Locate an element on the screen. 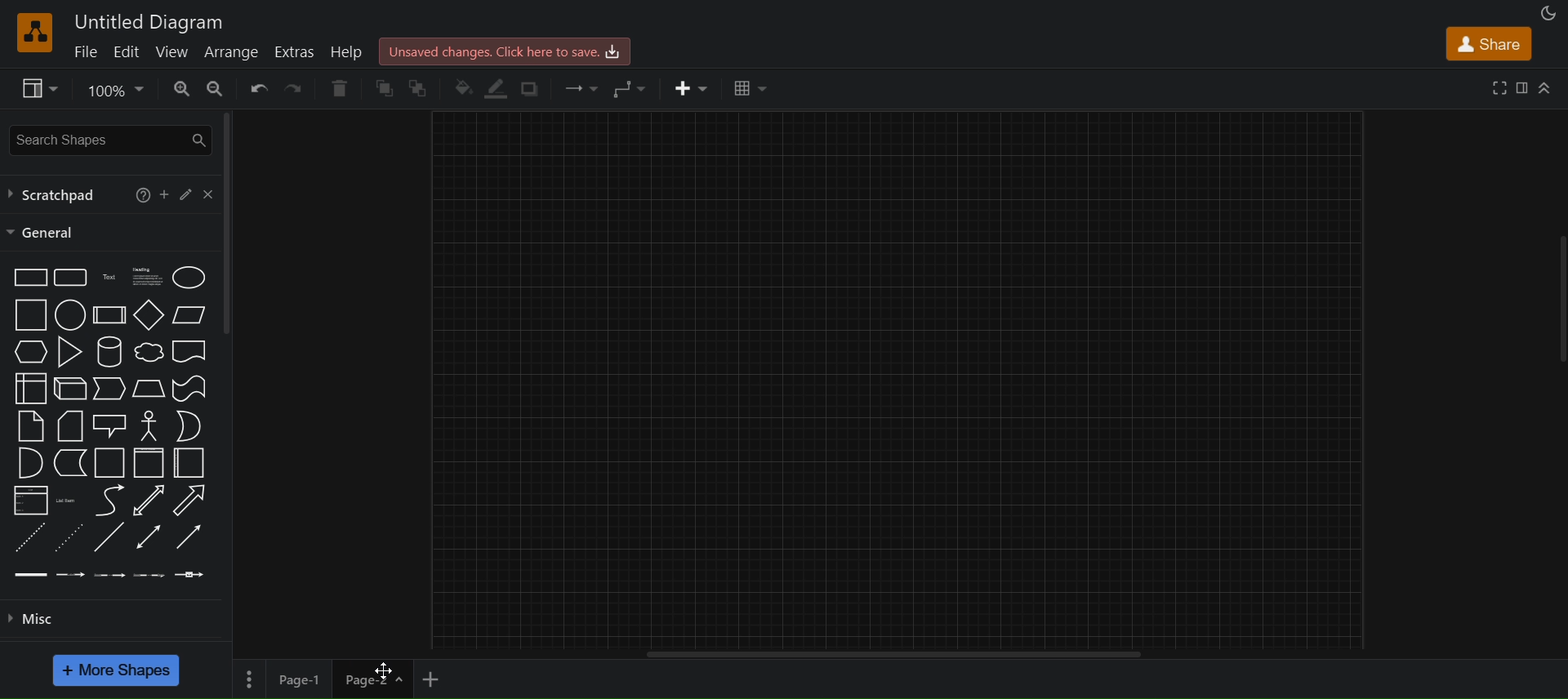  zoom is located at coordinates (119, 89).